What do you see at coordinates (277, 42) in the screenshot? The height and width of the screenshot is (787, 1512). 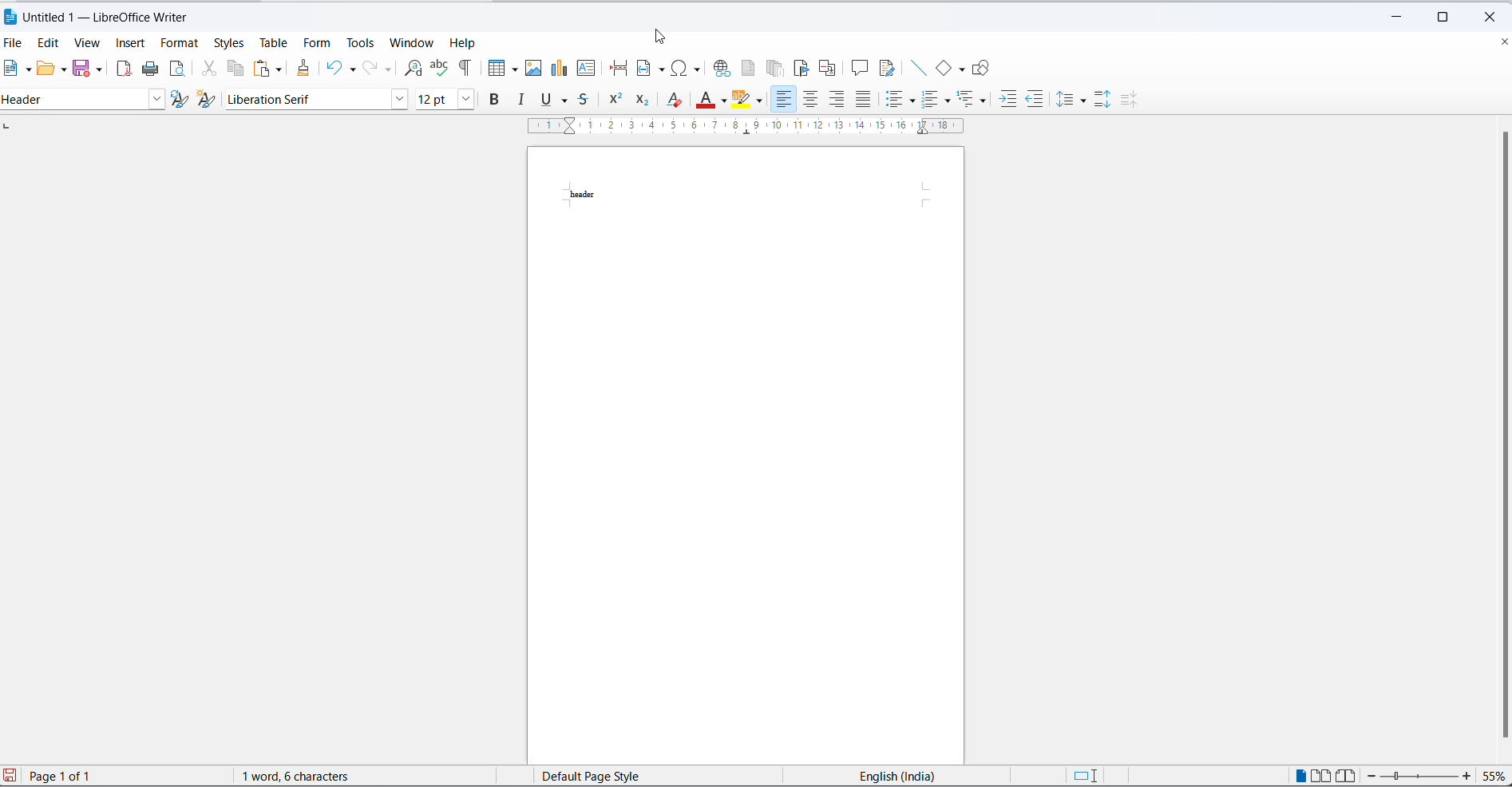 I see `table` at bounding box center [277, 42].